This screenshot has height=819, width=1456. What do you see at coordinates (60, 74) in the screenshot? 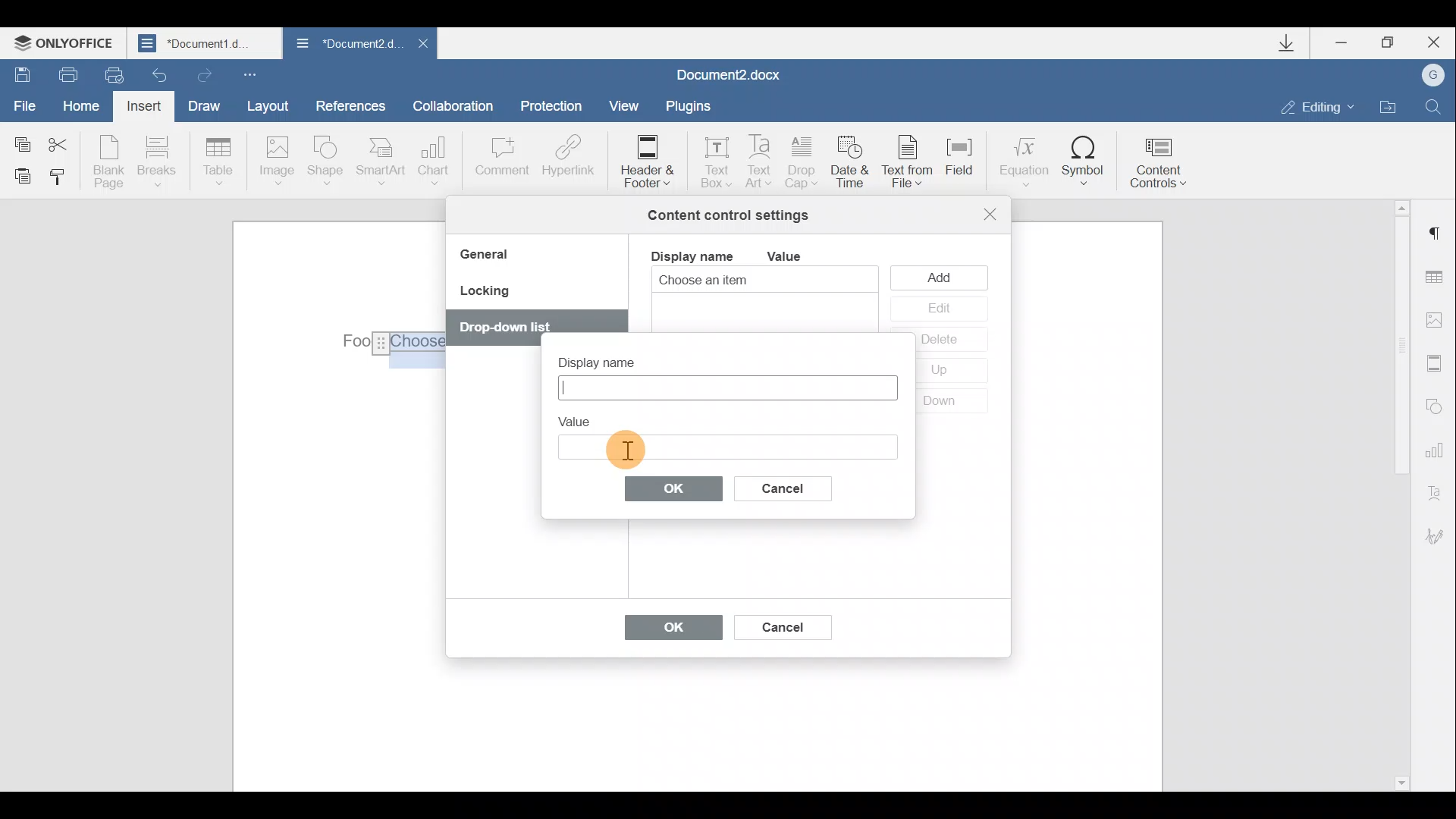
I see `Print file` at bounding box center [60, 74].